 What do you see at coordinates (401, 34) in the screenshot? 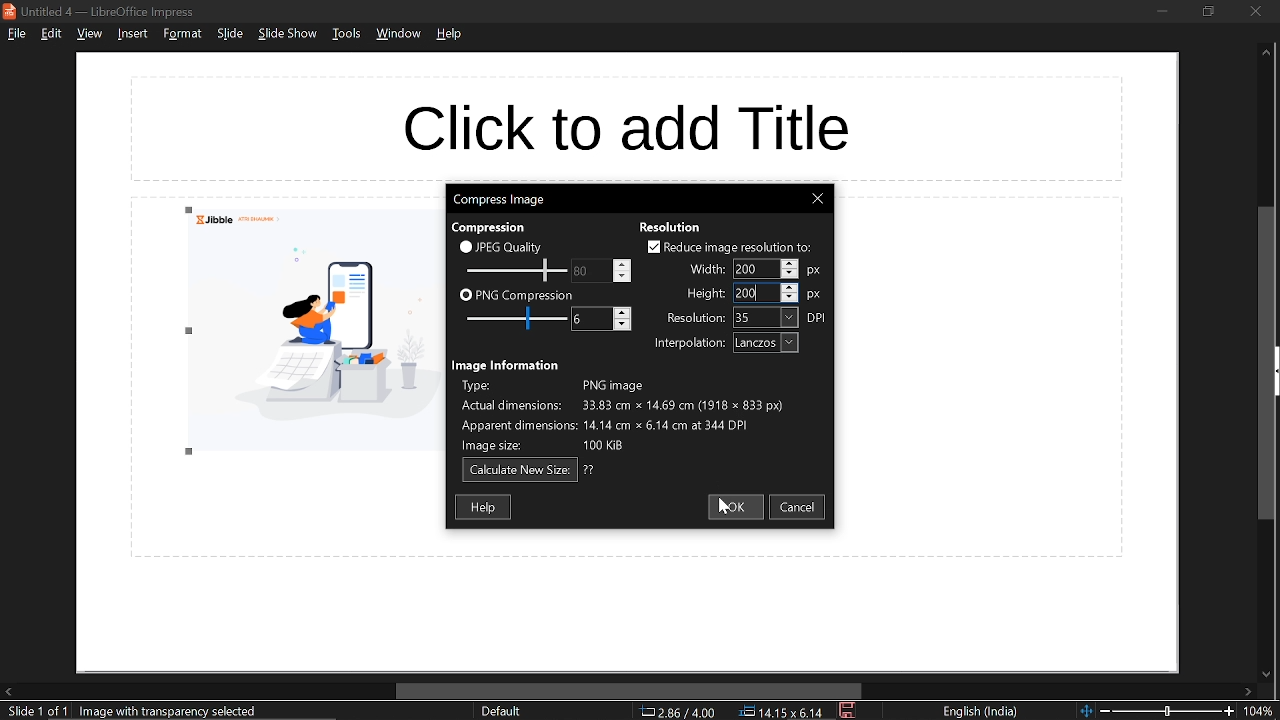
I see `window` at bounding box center [401, 34].